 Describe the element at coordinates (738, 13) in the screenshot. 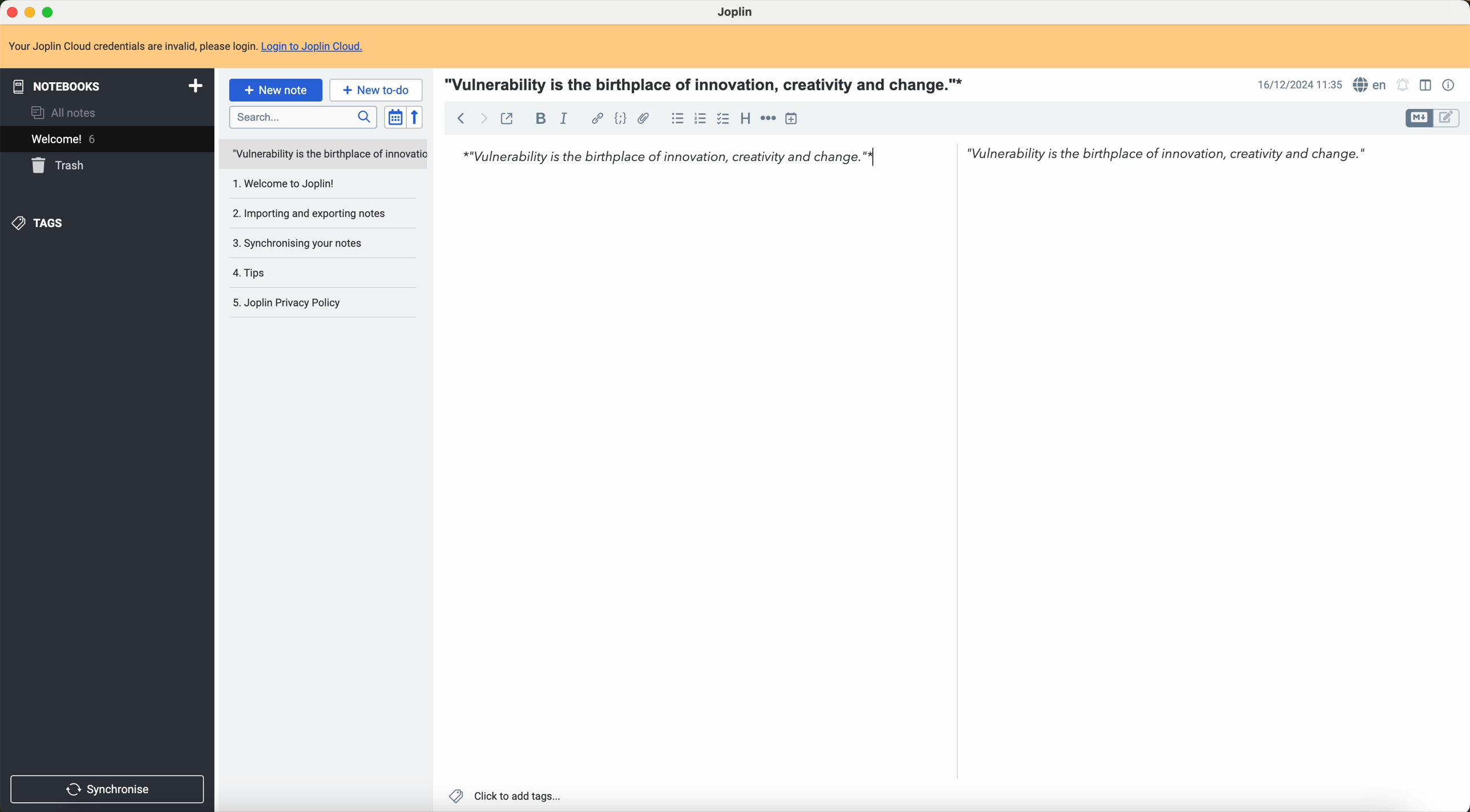

I see `Joplin` at that location.